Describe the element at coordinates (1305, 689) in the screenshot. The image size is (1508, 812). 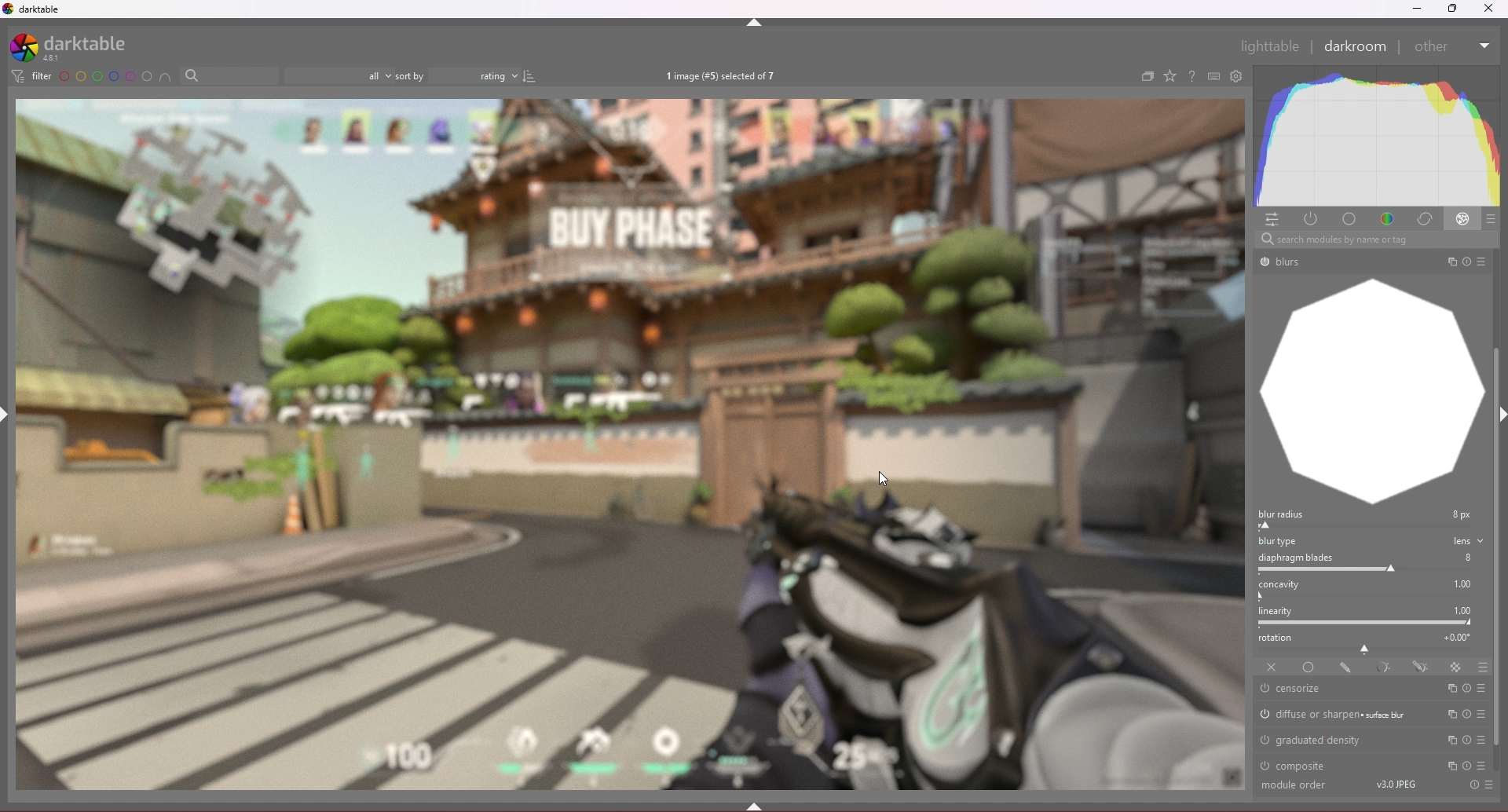
I see `censorize` at that location.